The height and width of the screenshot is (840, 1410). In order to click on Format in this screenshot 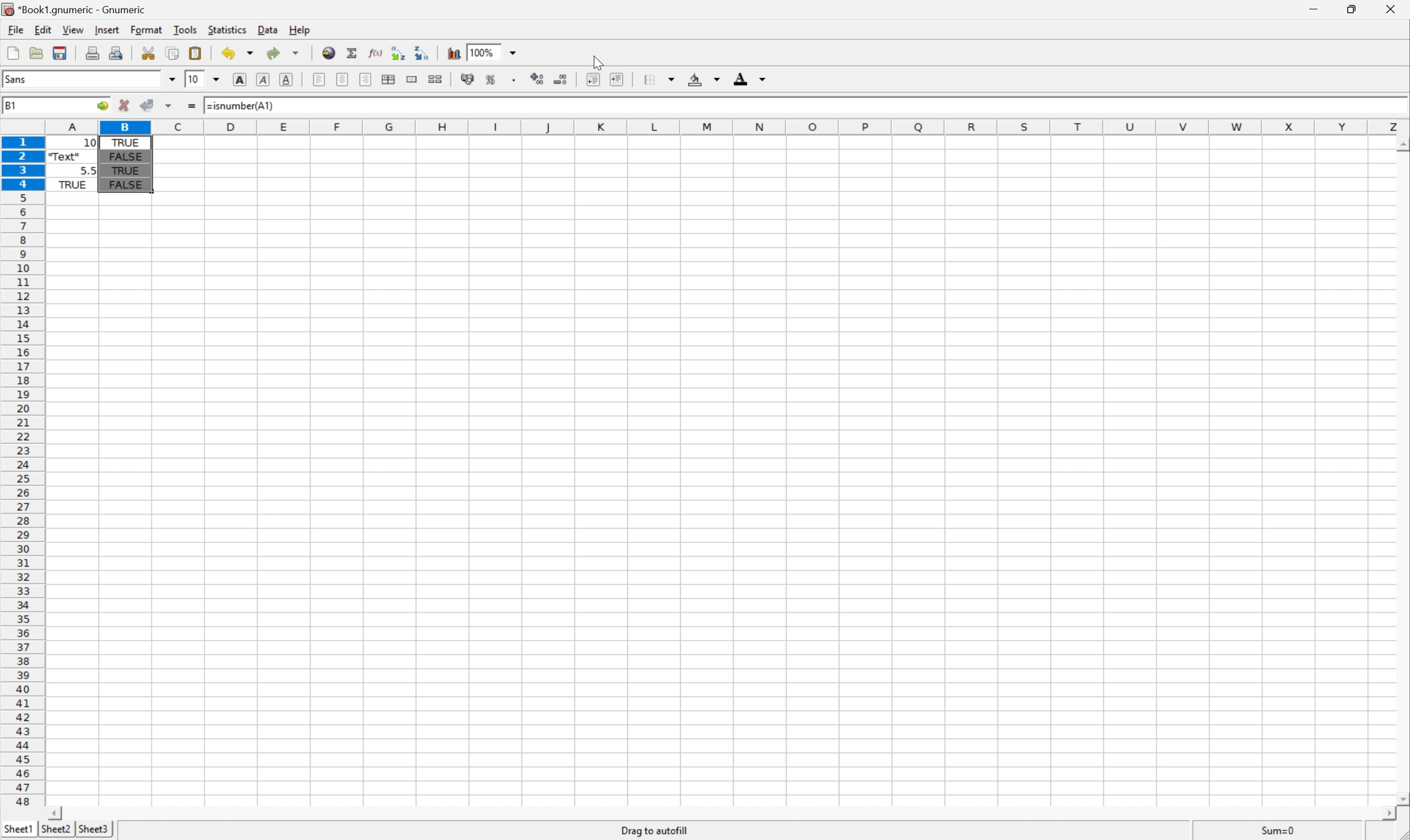, I will do `click(147, 29)`.